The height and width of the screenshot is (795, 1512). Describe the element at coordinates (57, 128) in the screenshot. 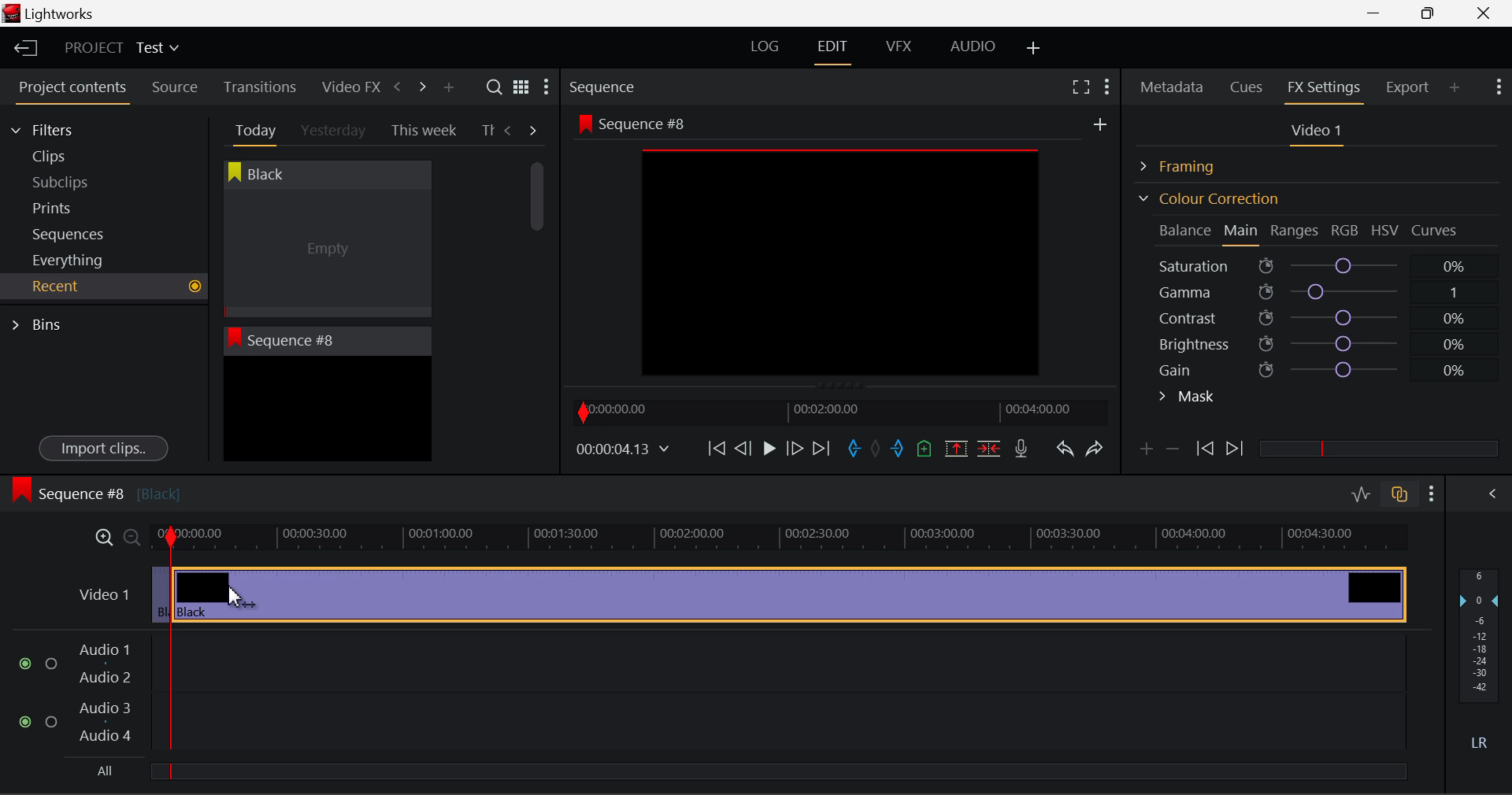

I see `Filters` at that location.